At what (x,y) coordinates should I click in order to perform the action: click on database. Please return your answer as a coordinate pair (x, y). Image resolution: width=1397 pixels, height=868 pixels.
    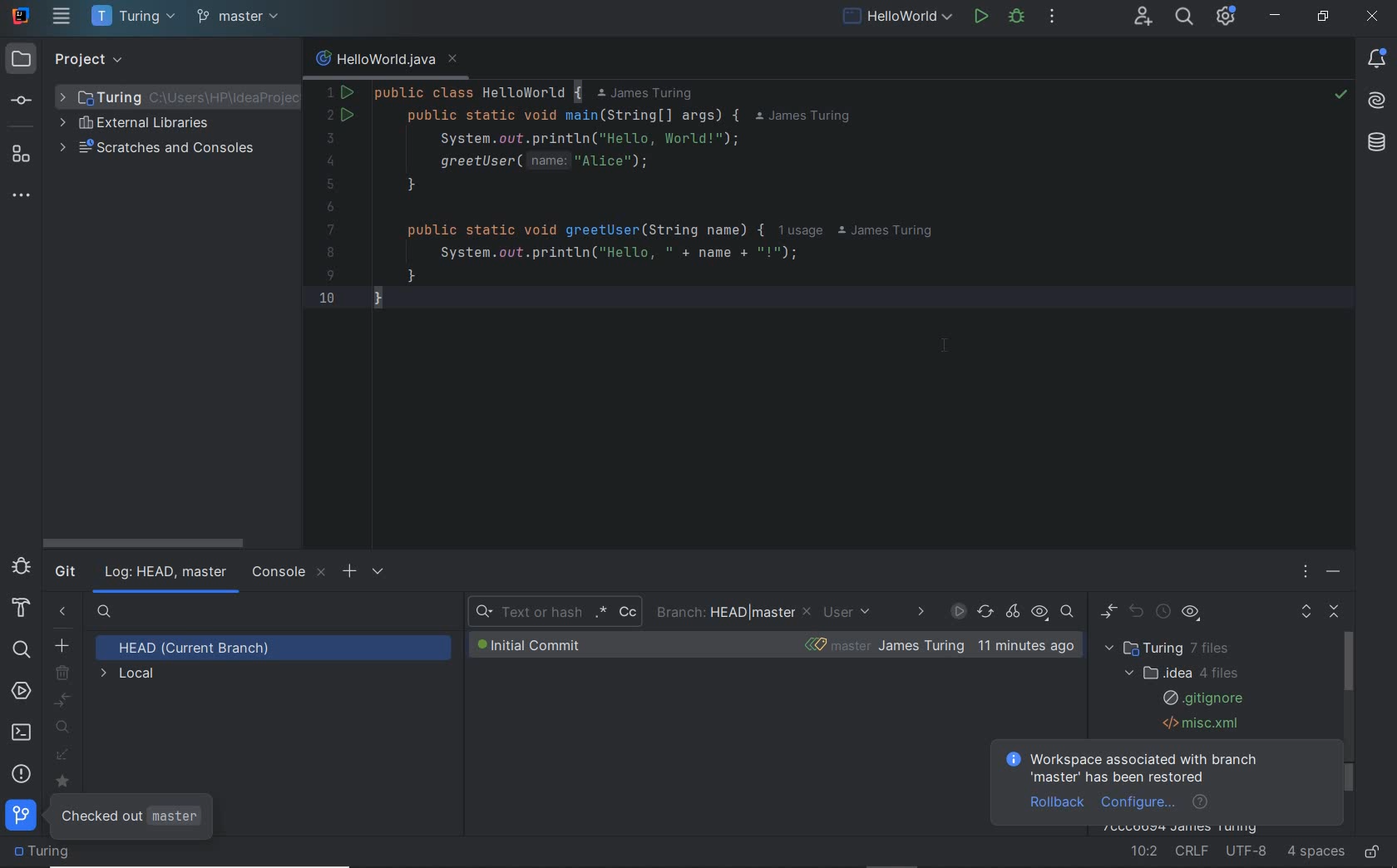
    Looking at the image, I should click on (1377, 143).